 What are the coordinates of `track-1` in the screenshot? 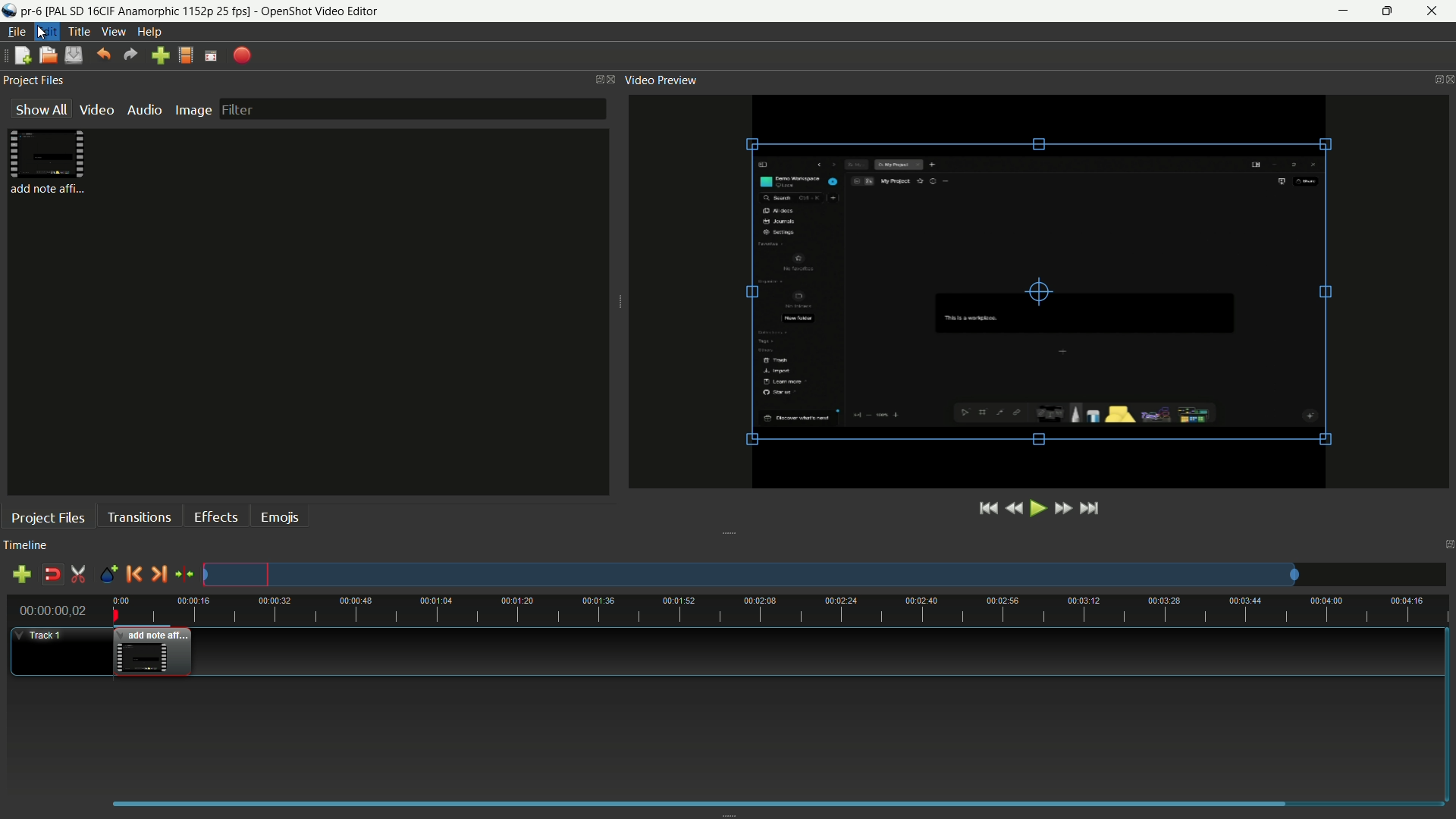 It's located at (48, 635).